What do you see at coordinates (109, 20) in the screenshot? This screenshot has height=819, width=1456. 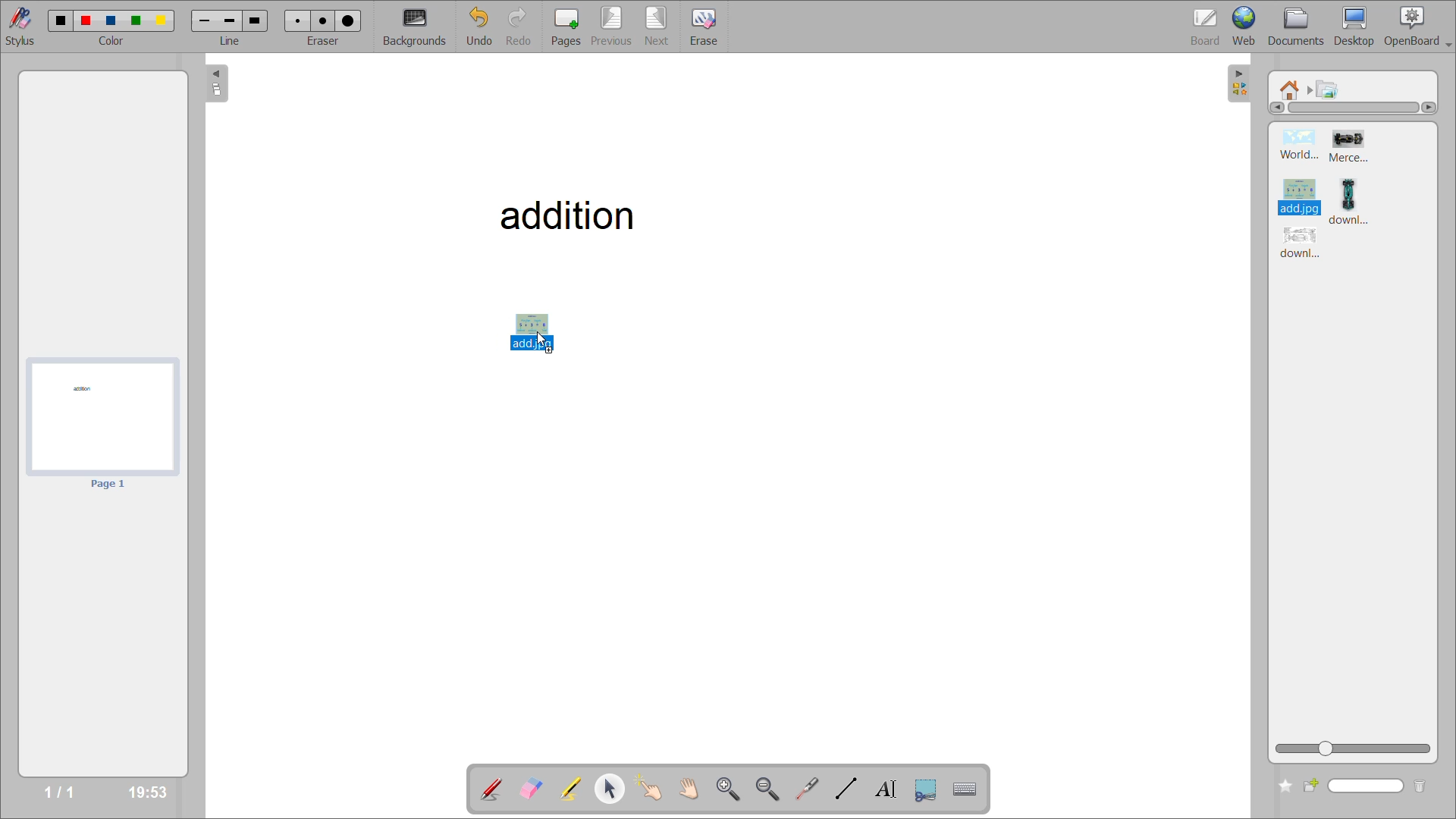 I see `color 3` at bounding box center [109, 20].